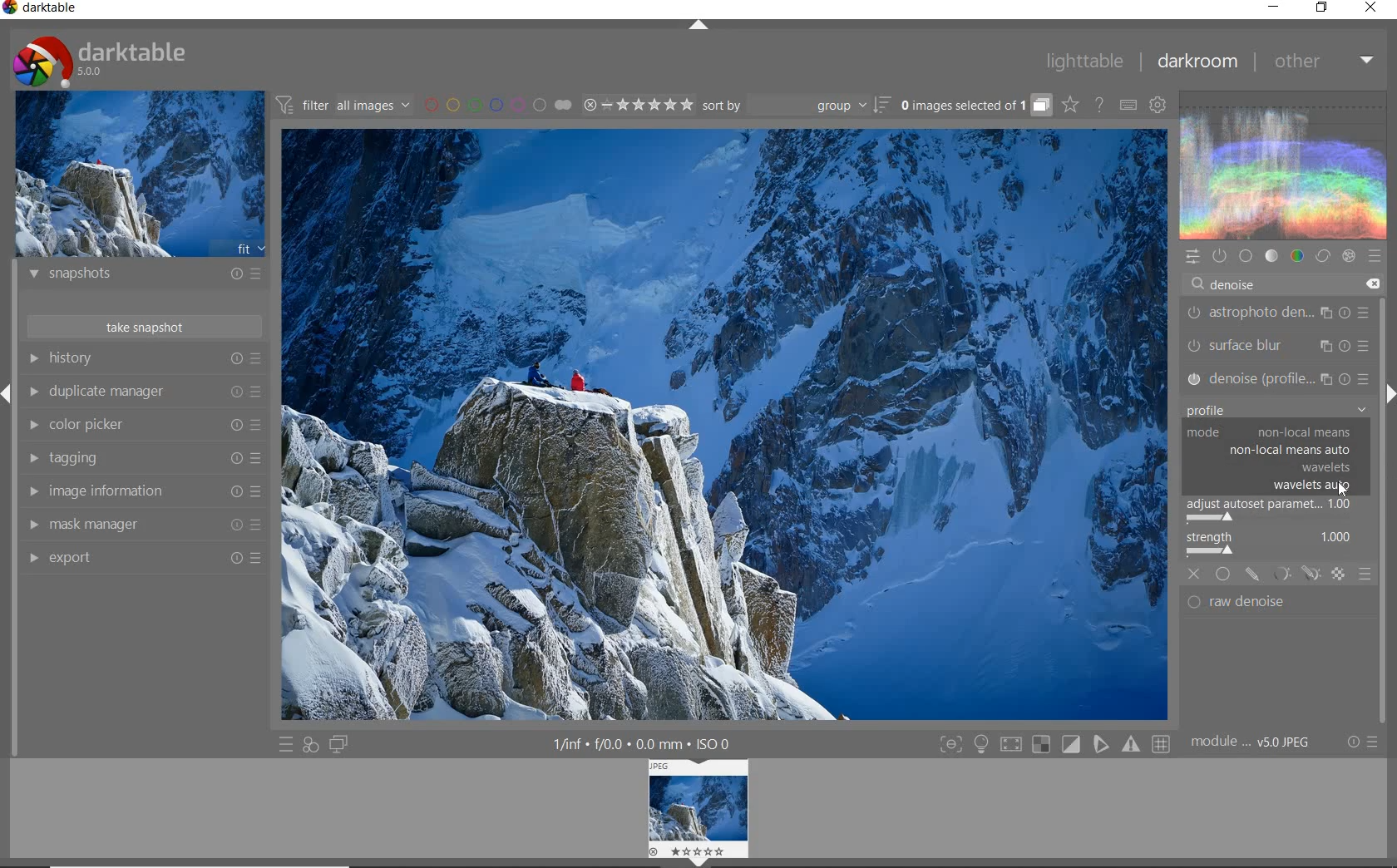  Describe the element at coordinates (1322, 255) in the screenshot. I see `correct` at that location.